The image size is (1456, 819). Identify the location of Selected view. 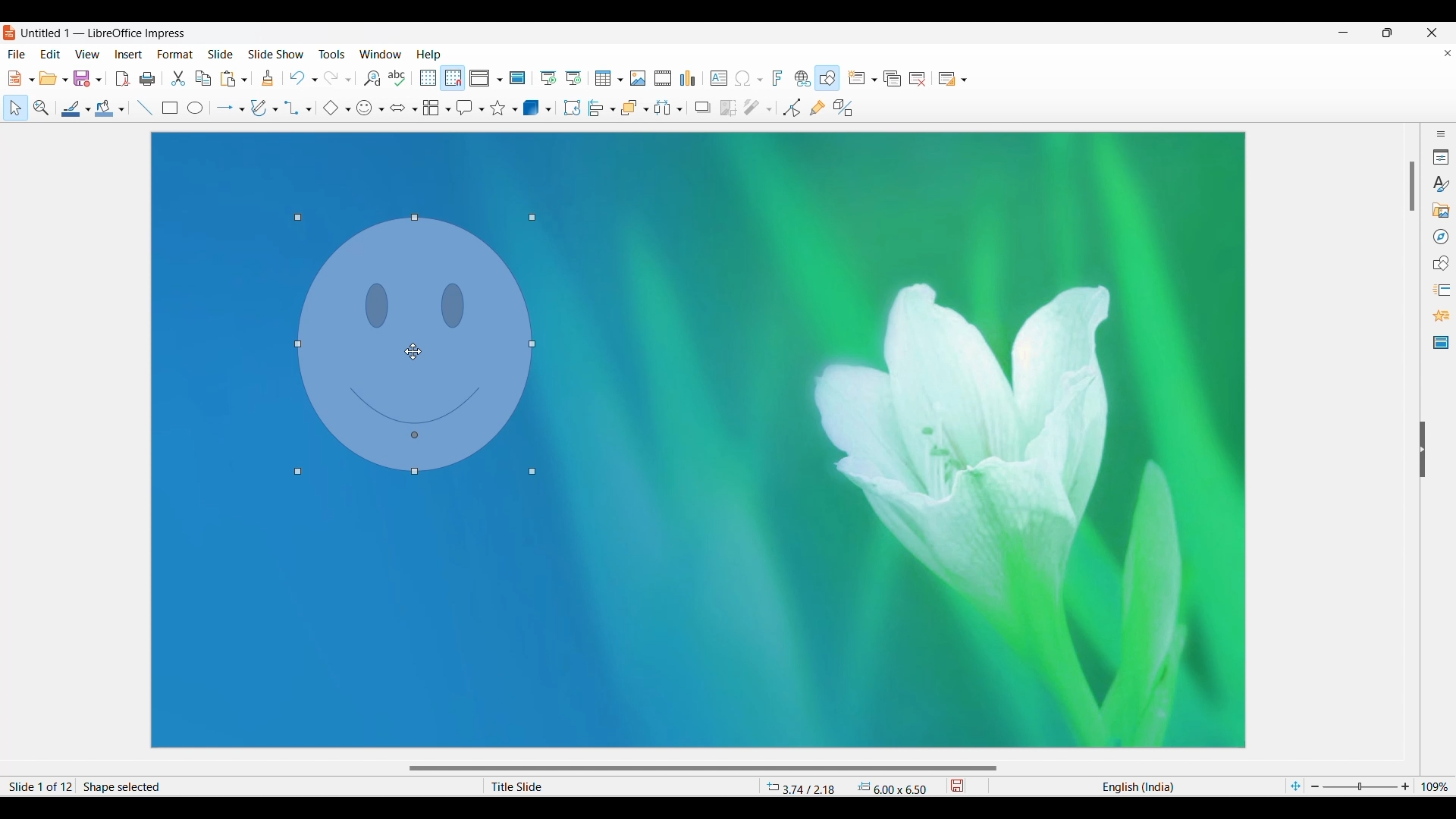
(479, 78).